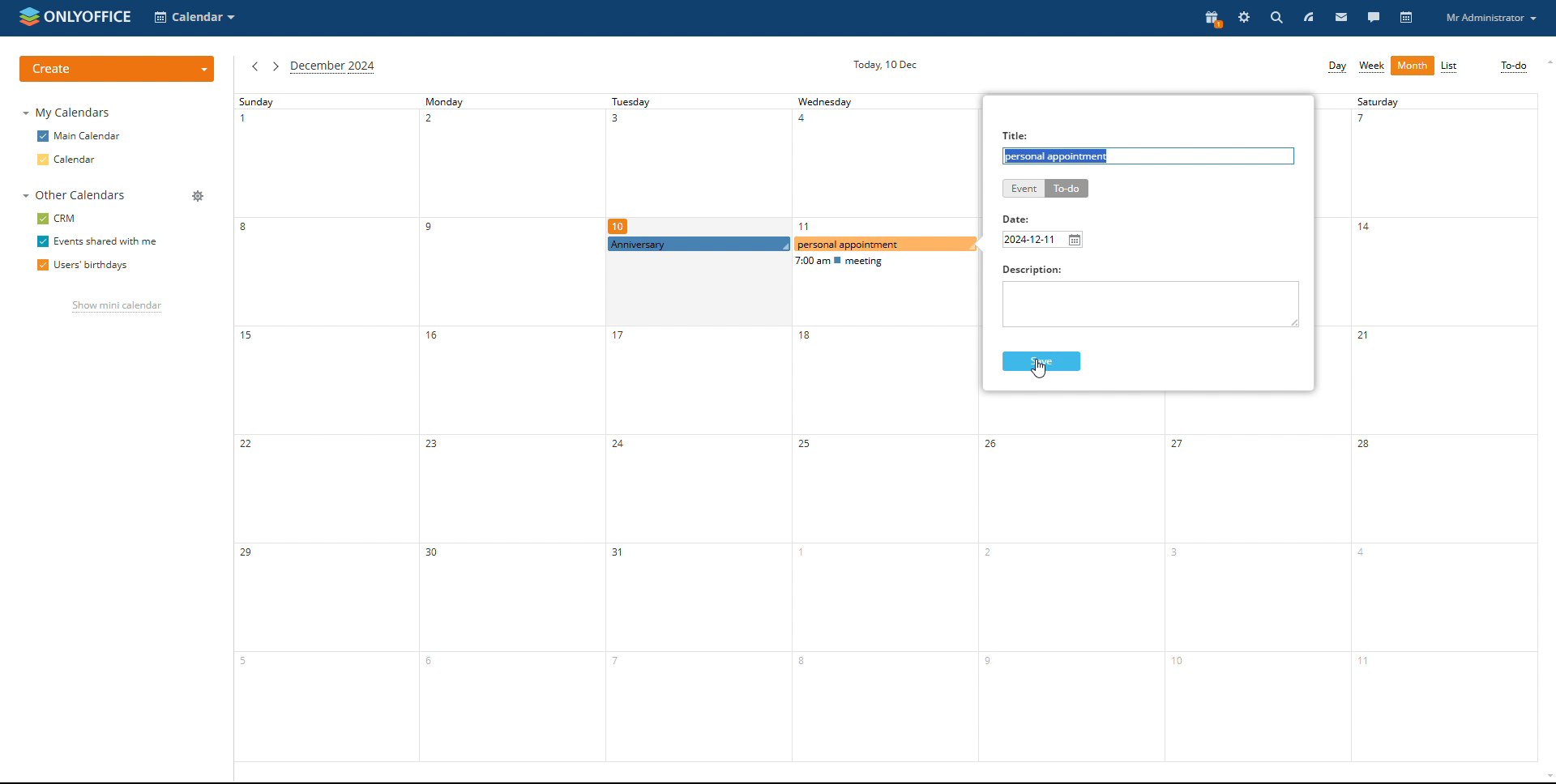  I want to click on sunday, so click(325, 428).